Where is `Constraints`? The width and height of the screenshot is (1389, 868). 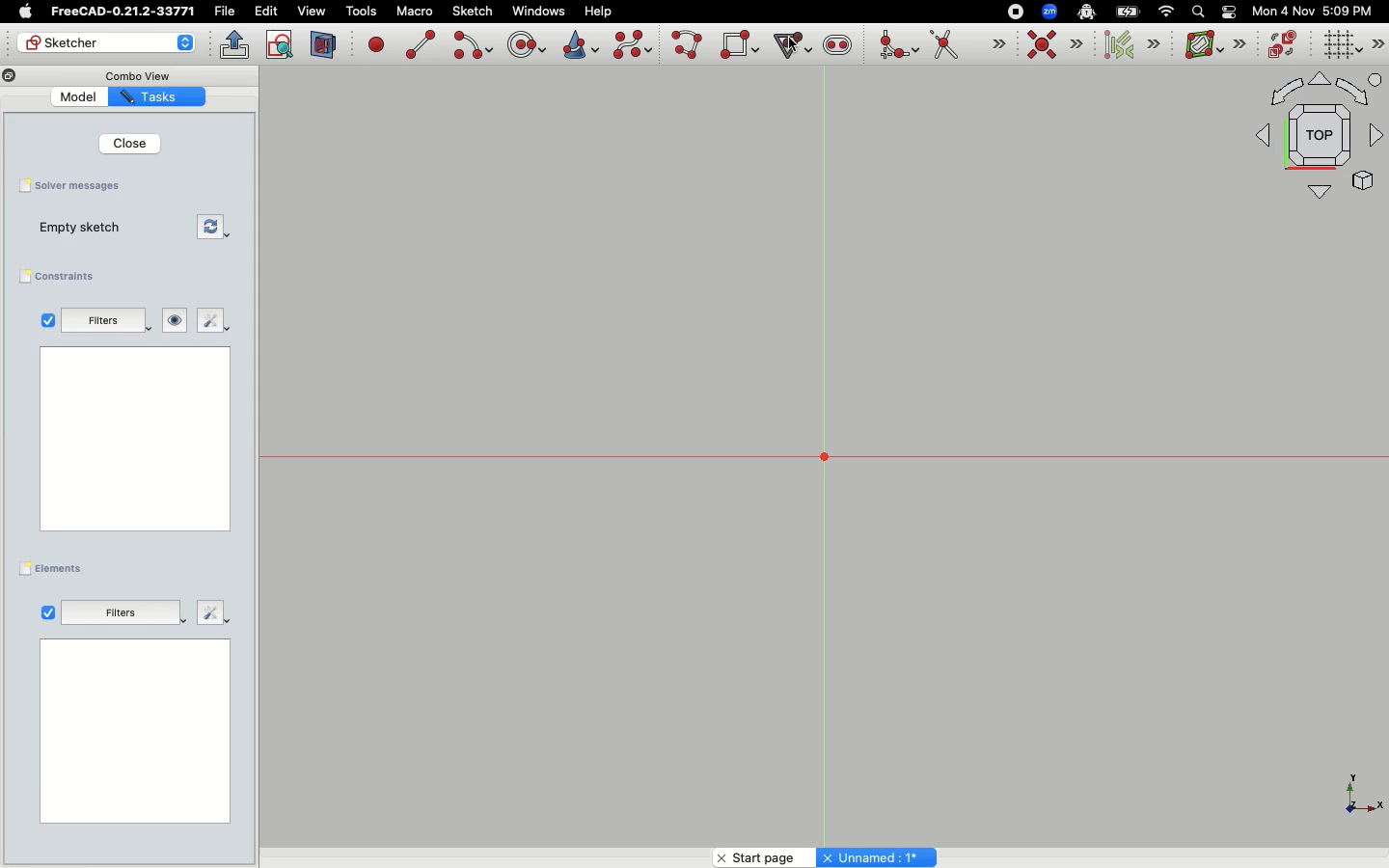
Constraints is located at coordinates (56, 276).